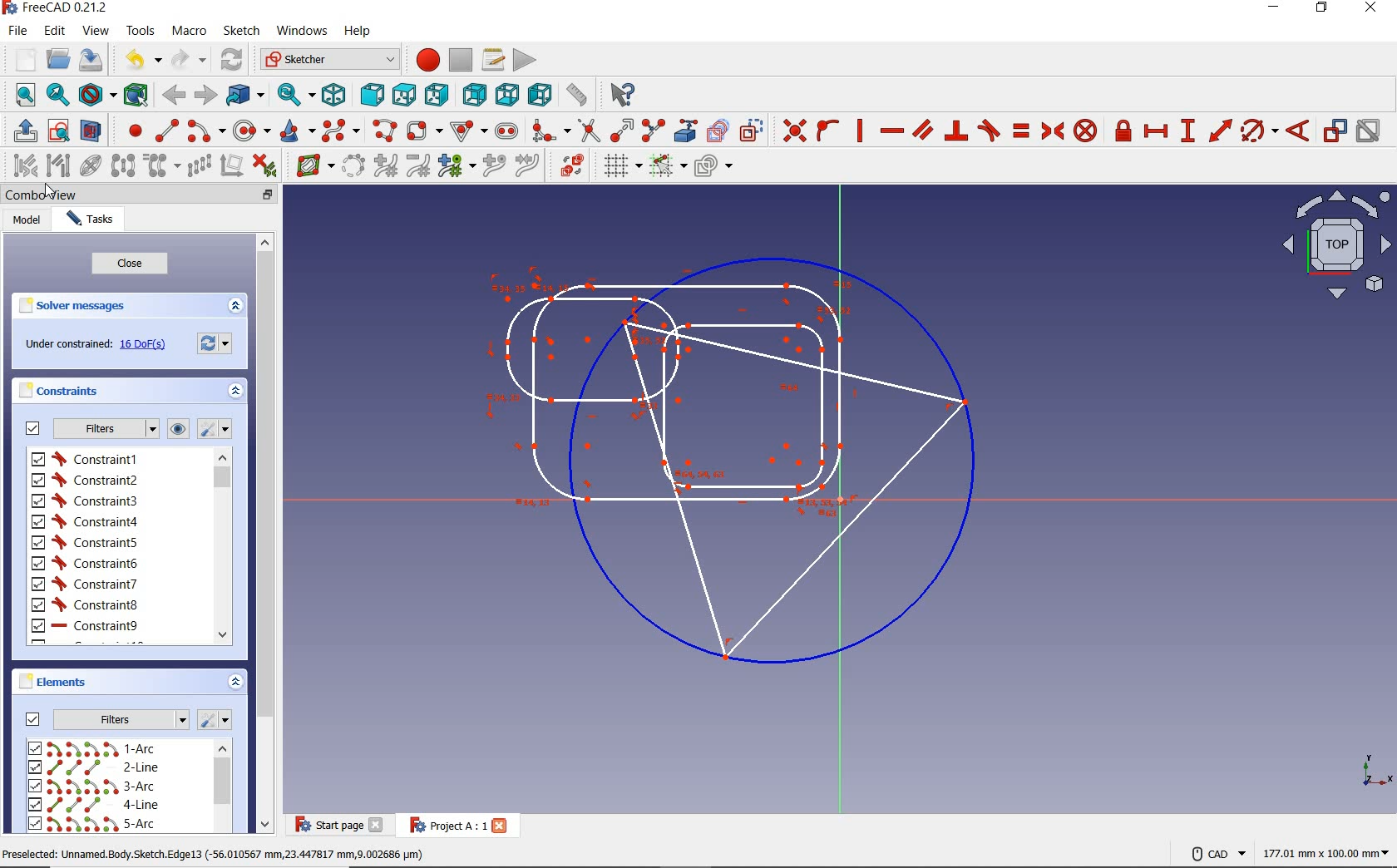  Describe the element at coordinates (96, 805) in the screenshot. I see `4-line` at that location.